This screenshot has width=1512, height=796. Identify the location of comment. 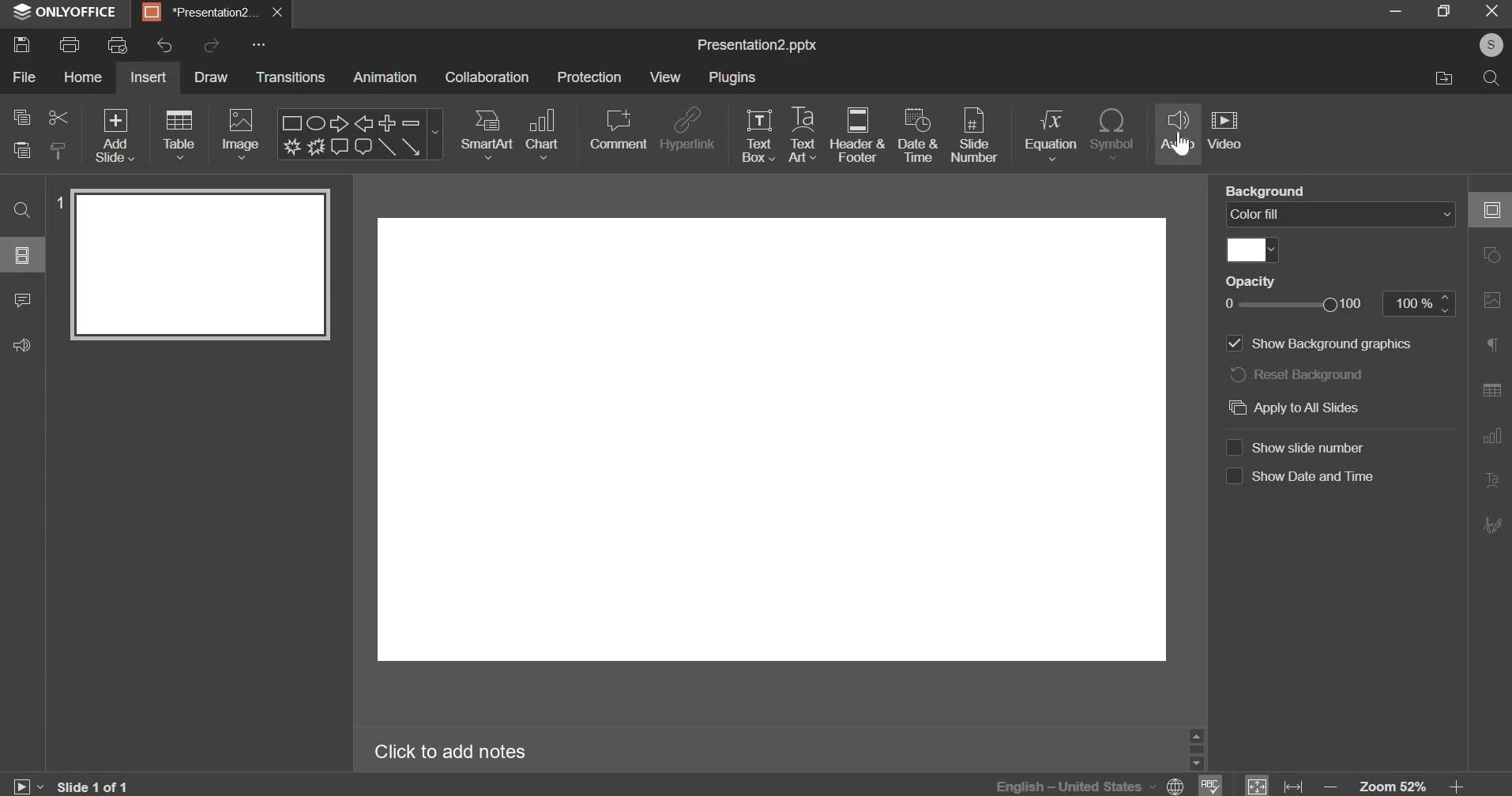
(28, 302).